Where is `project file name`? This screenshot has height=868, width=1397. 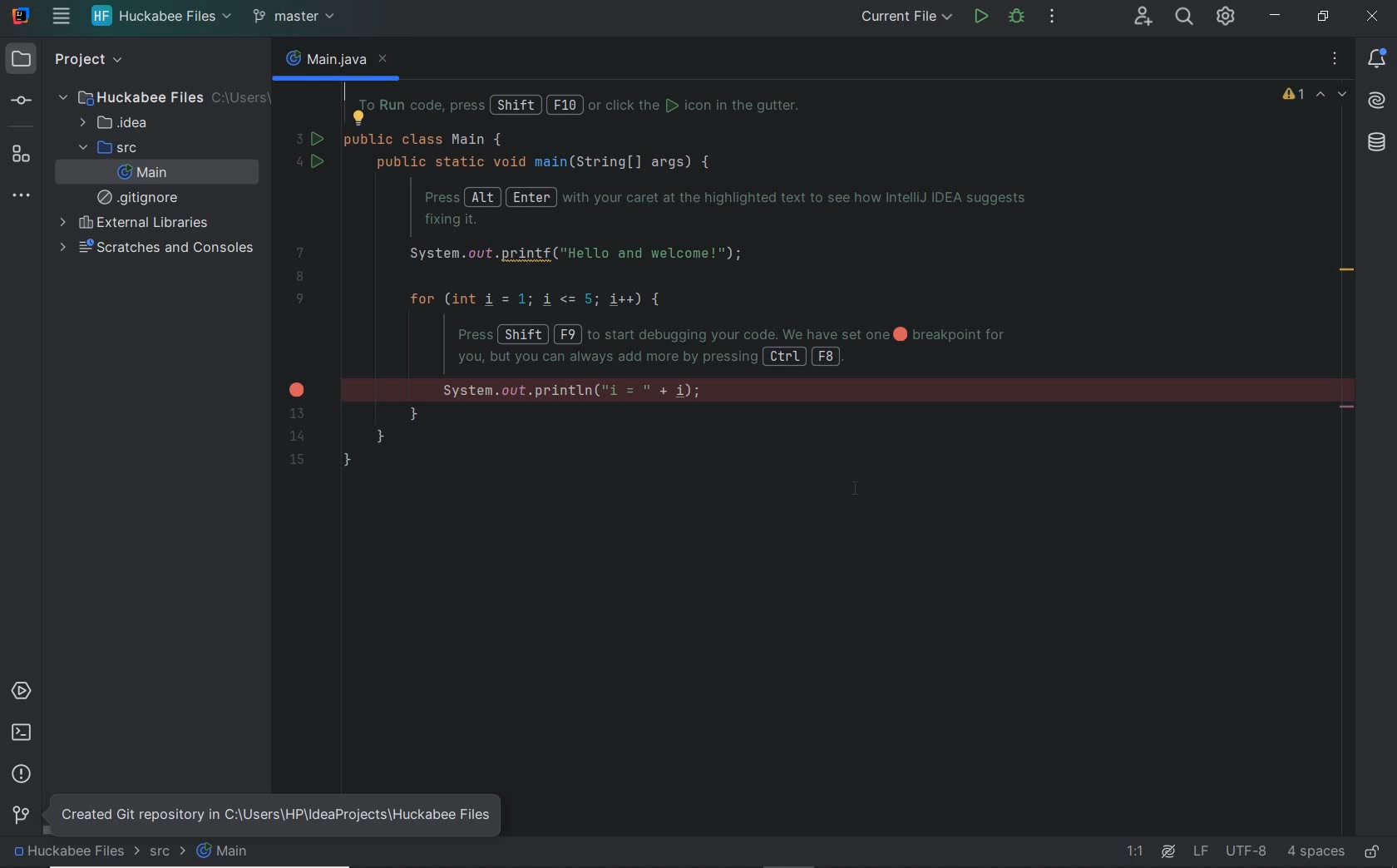 project file name is located at coordinates (66, 855).